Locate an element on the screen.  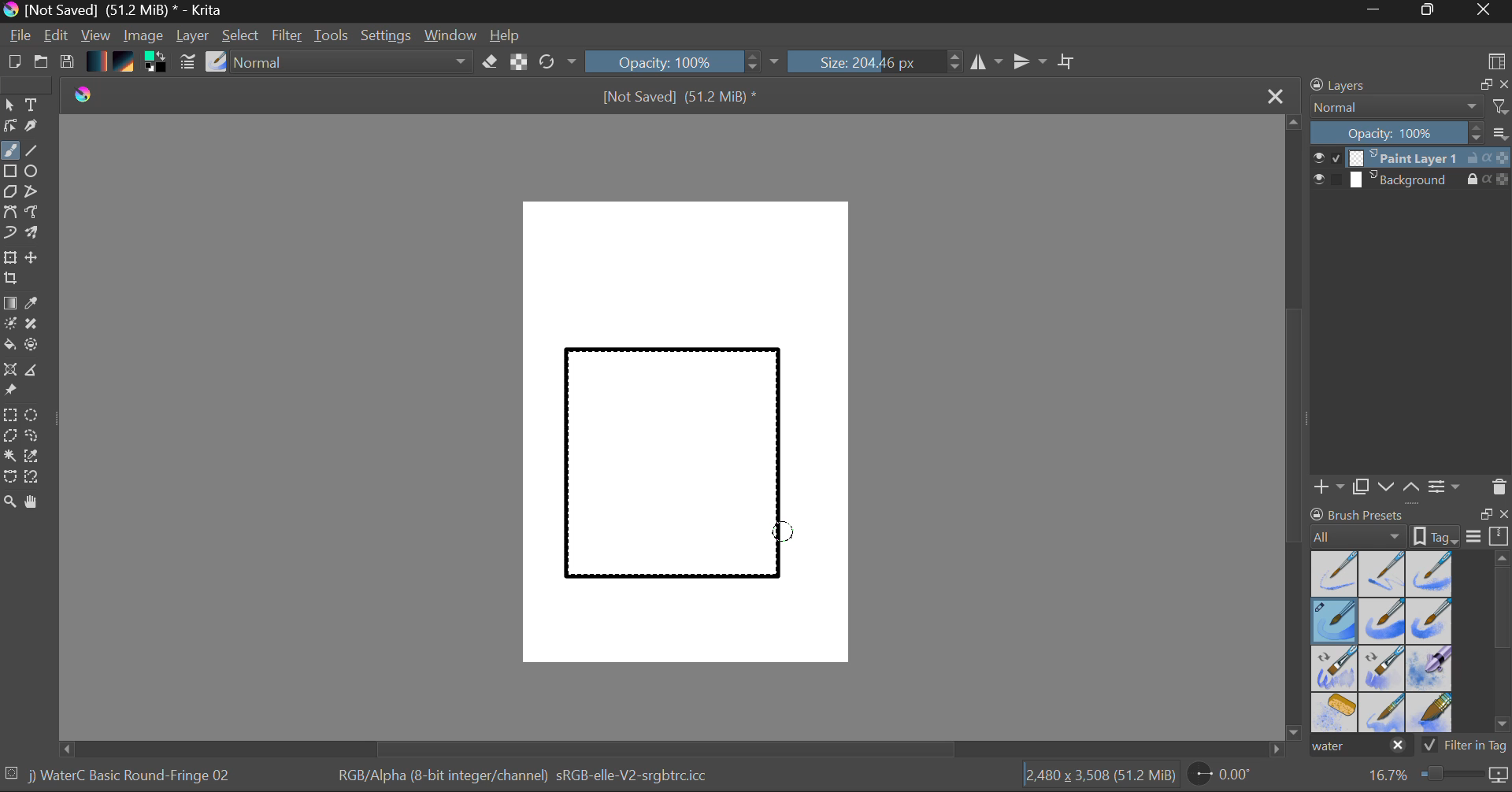
Settings is located at coordinates (387, 35).